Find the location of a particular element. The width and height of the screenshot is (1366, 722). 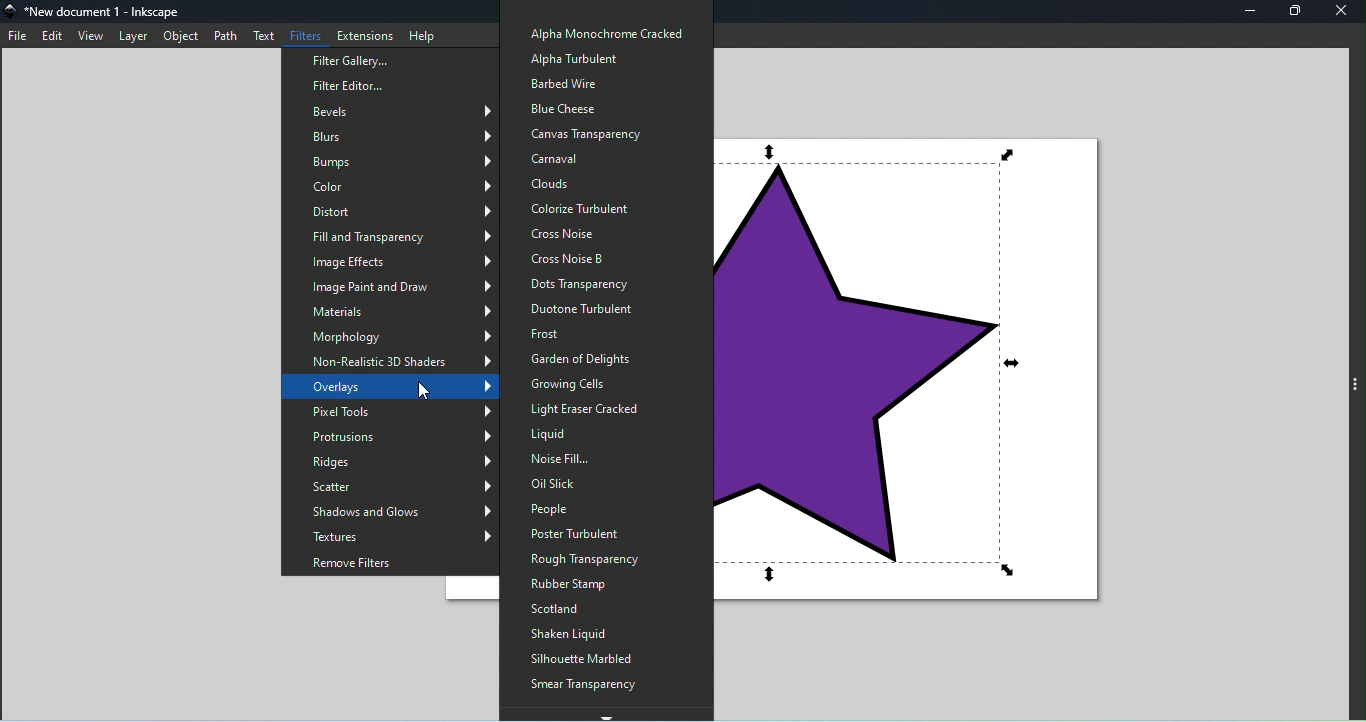

Filters is located at coordinates (307, 33).